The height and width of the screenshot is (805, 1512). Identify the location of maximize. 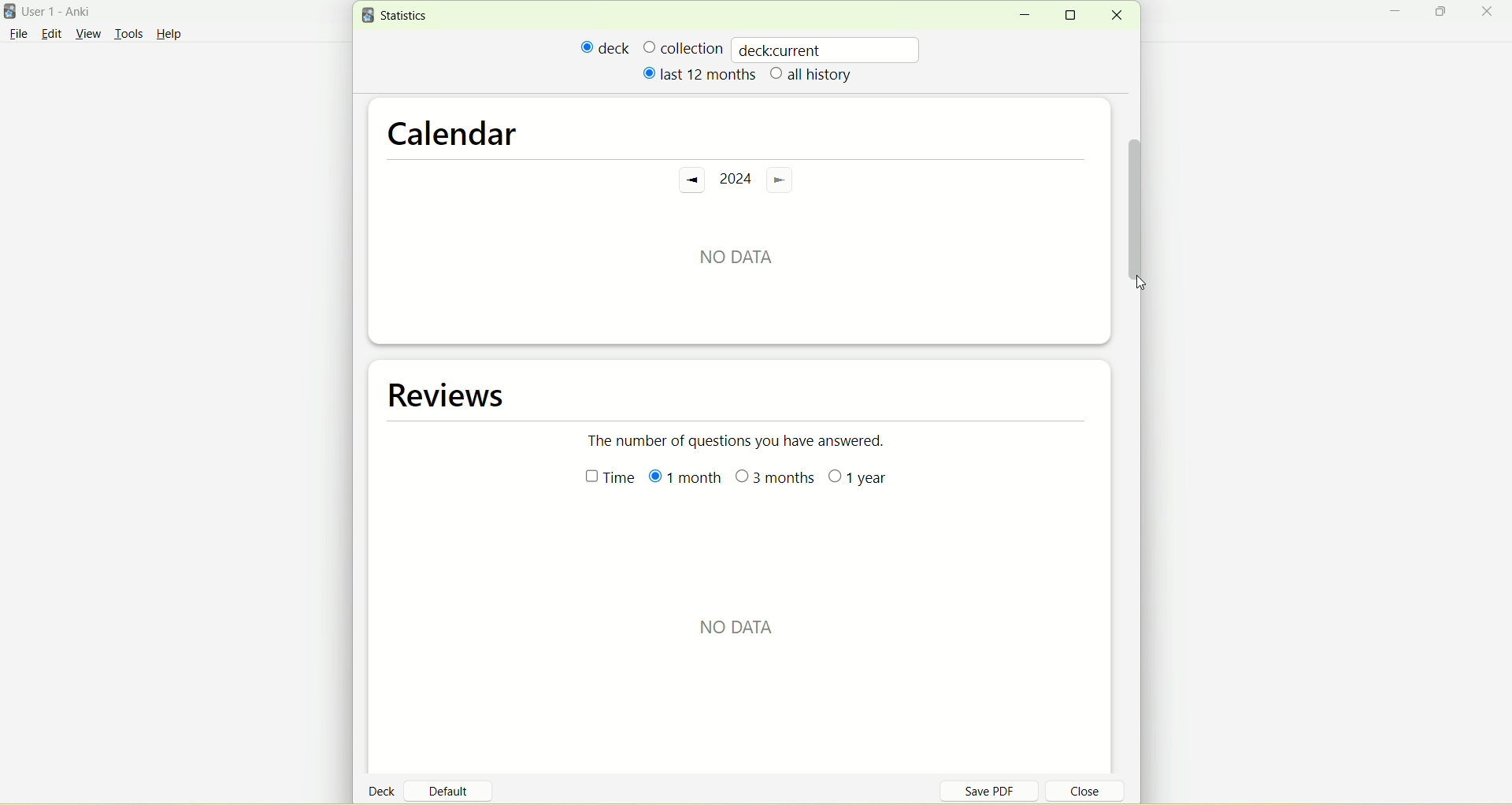
(1443, 14).